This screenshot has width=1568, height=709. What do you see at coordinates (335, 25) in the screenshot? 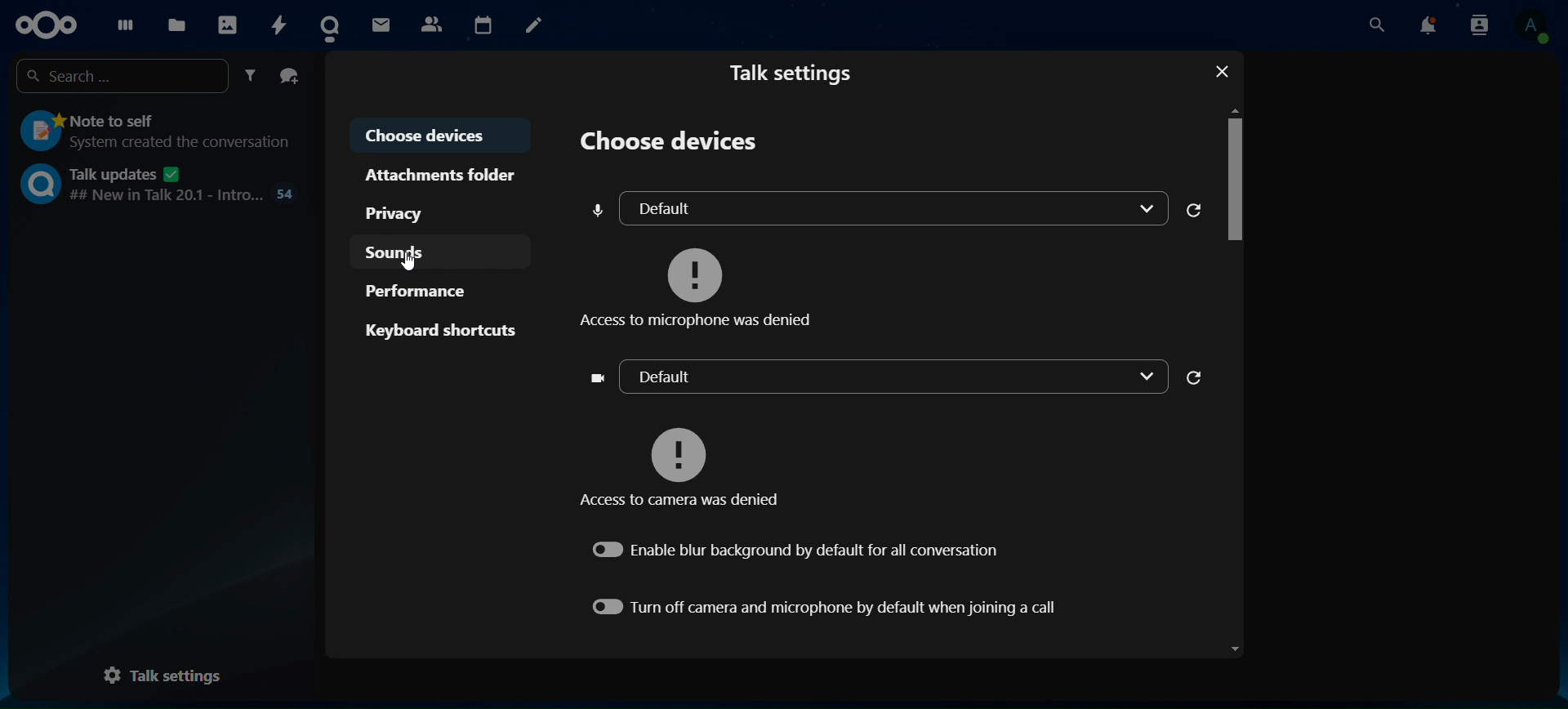
I see `talk` at bounding box center [335, 25].